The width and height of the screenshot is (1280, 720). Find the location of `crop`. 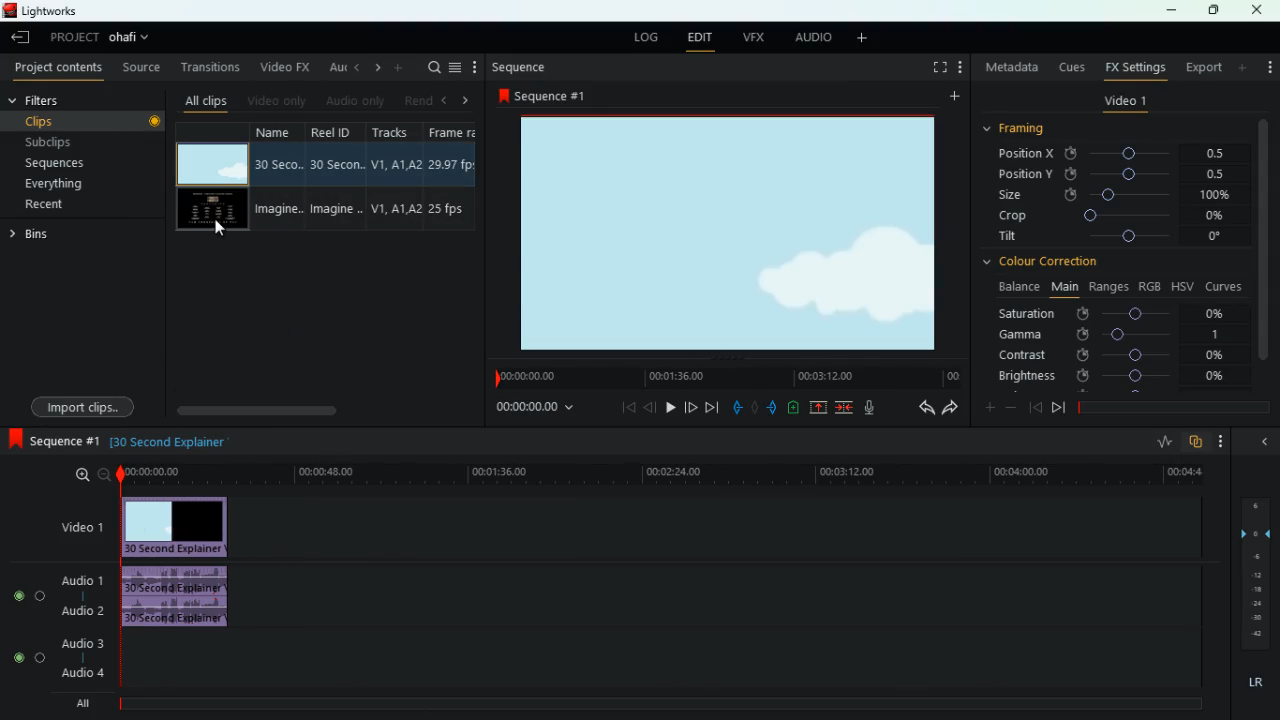

crop is located at coordinates (1114, 217).